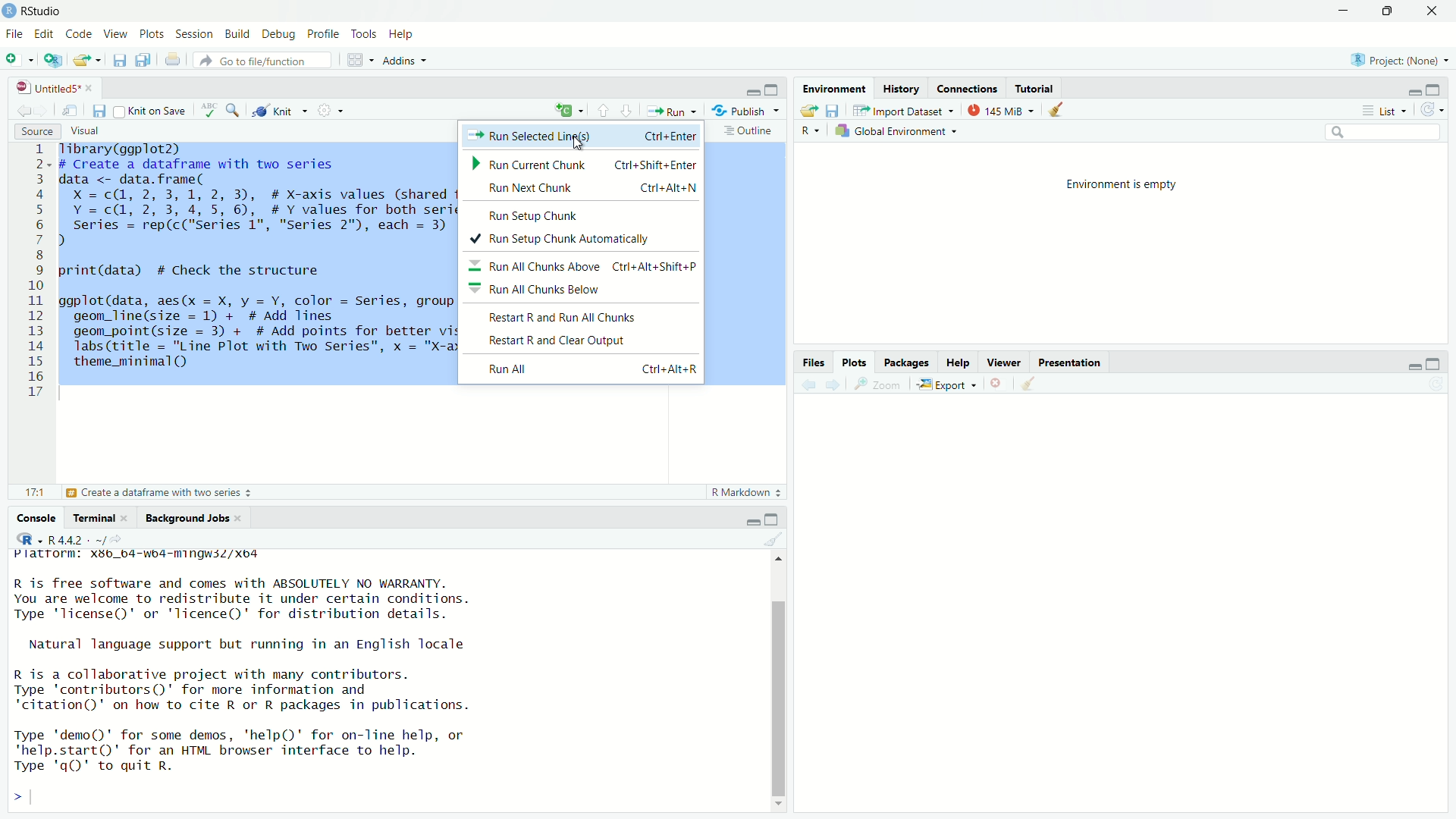  What do you see at coordinates (22, 108) in the screenshot?
I see `Go back to the previous source selection` at bounding box center [22, 108].